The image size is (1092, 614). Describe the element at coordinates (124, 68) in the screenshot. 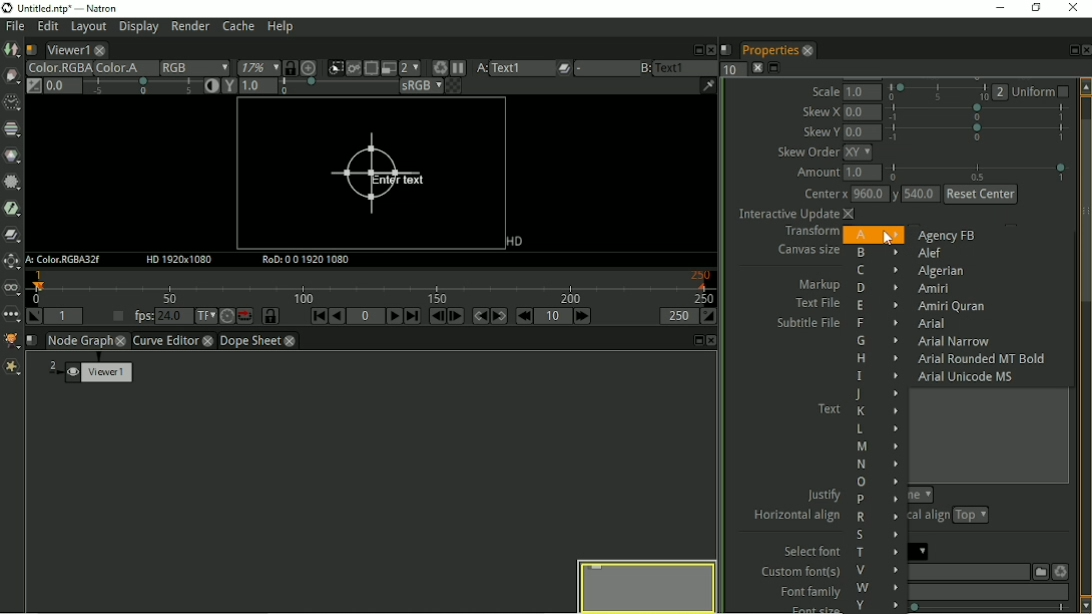

I see `Color.A` at that location.